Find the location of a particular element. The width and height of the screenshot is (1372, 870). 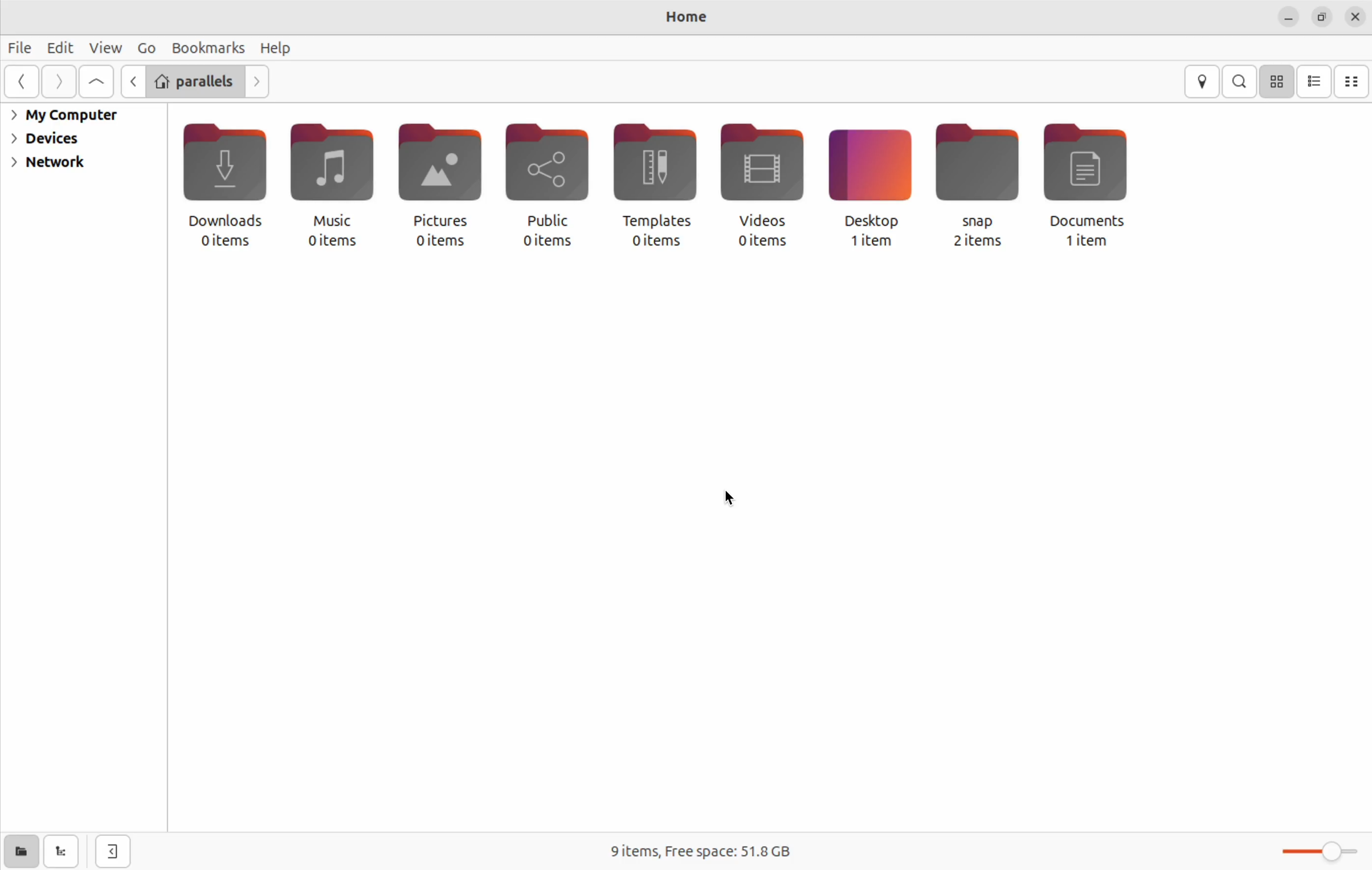

icon view is located at coordinates (1278, 81).